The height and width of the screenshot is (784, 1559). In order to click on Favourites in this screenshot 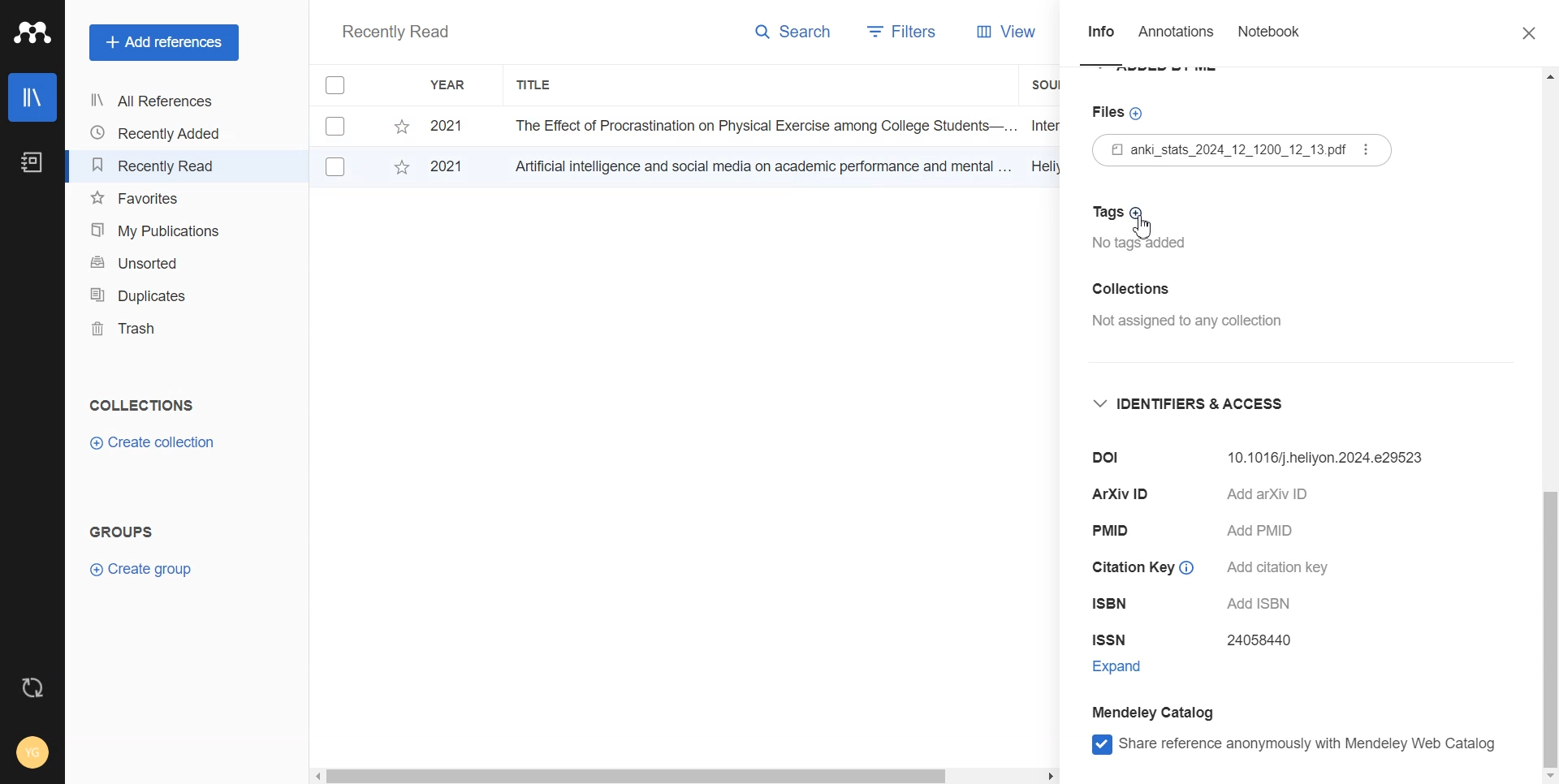, I will do `click(160, 199)`.